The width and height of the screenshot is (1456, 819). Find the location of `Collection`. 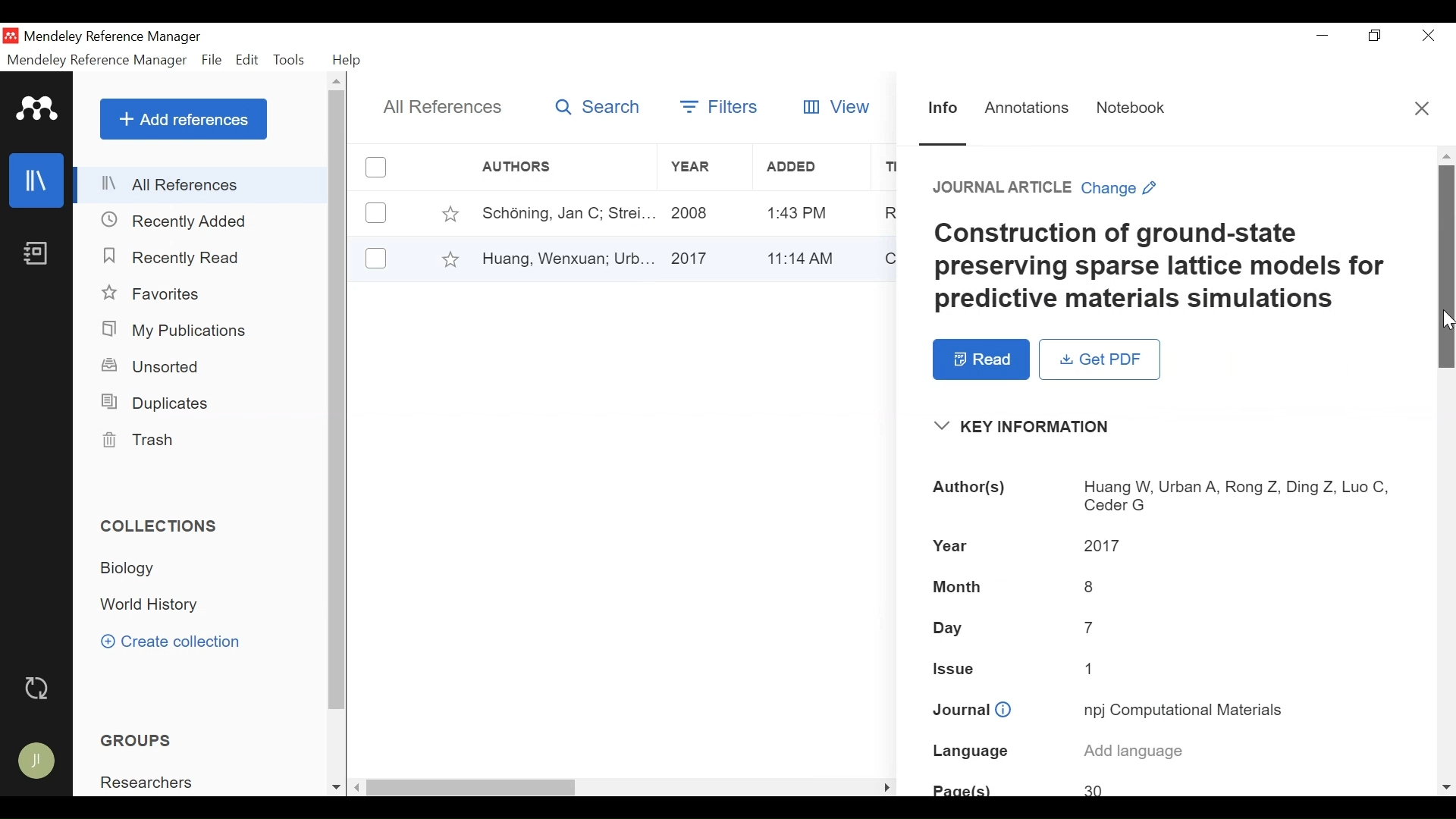

Collection is located at coordinates (133, 568).